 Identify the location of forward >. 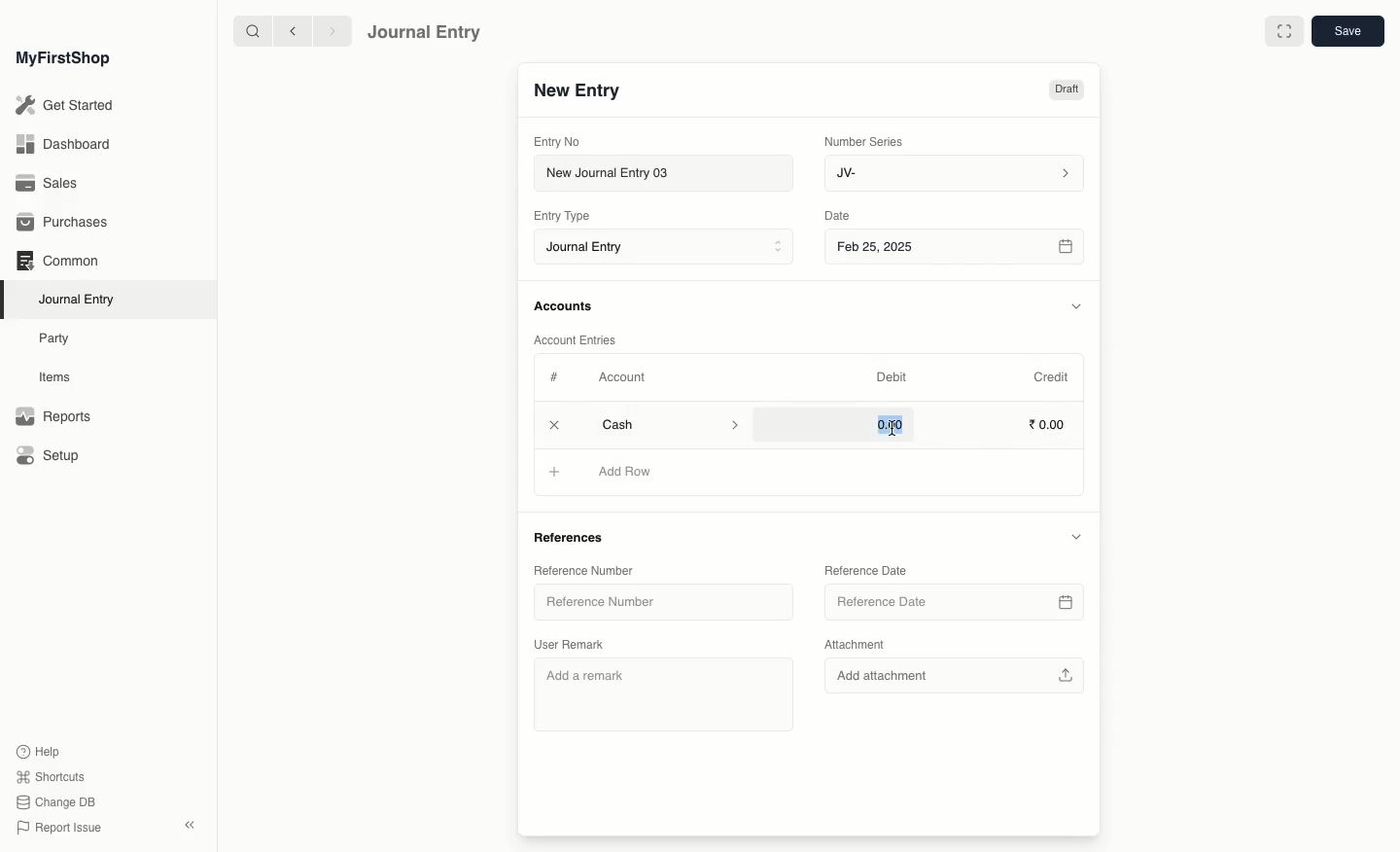
(328, 30).